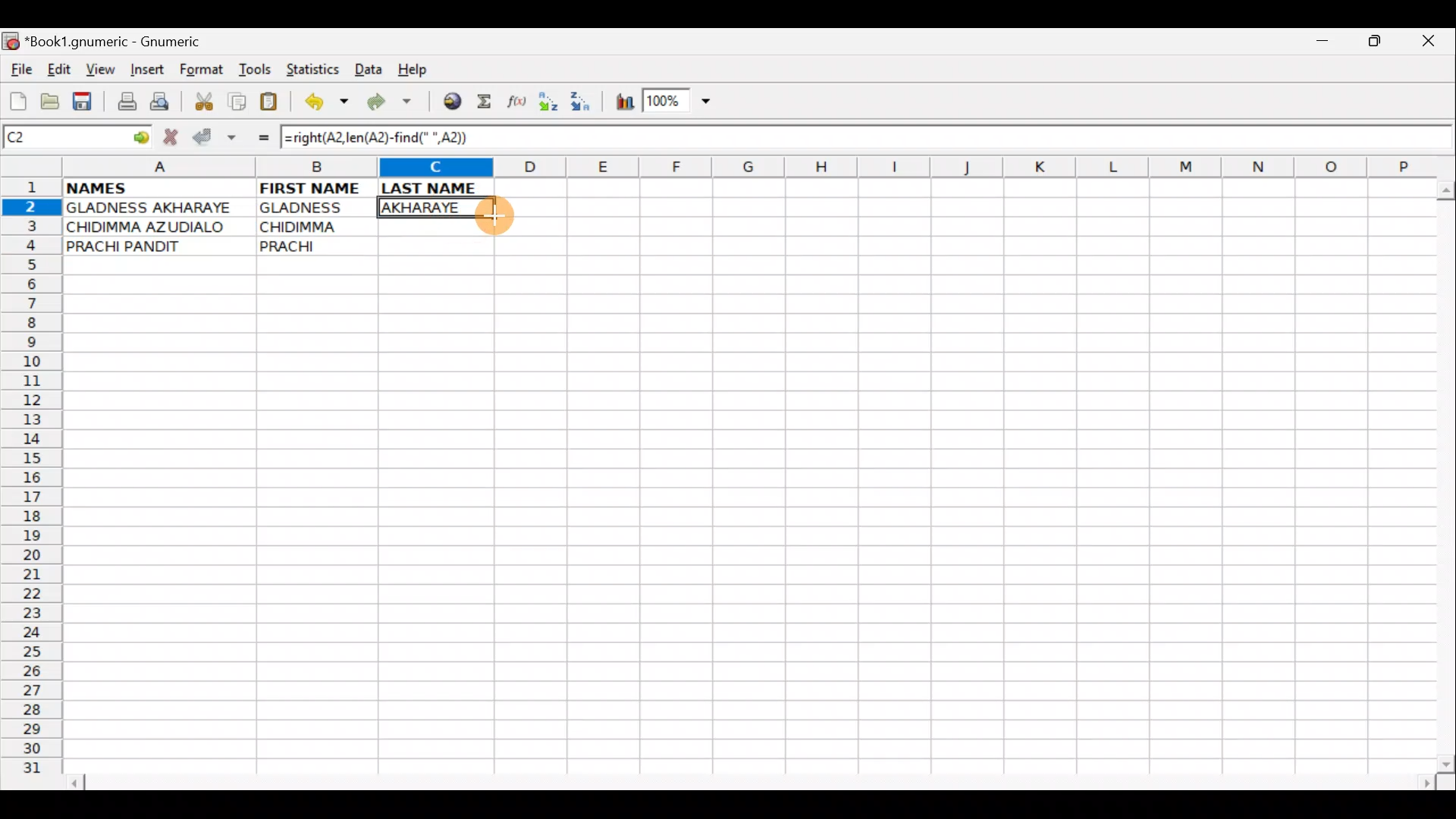 Image resolution: width=1456 pixels, height=819 pixels. What do you see at coordinates (679, 103) in the screenshot?
I see `Zoom` at bounding box center [679, 103].